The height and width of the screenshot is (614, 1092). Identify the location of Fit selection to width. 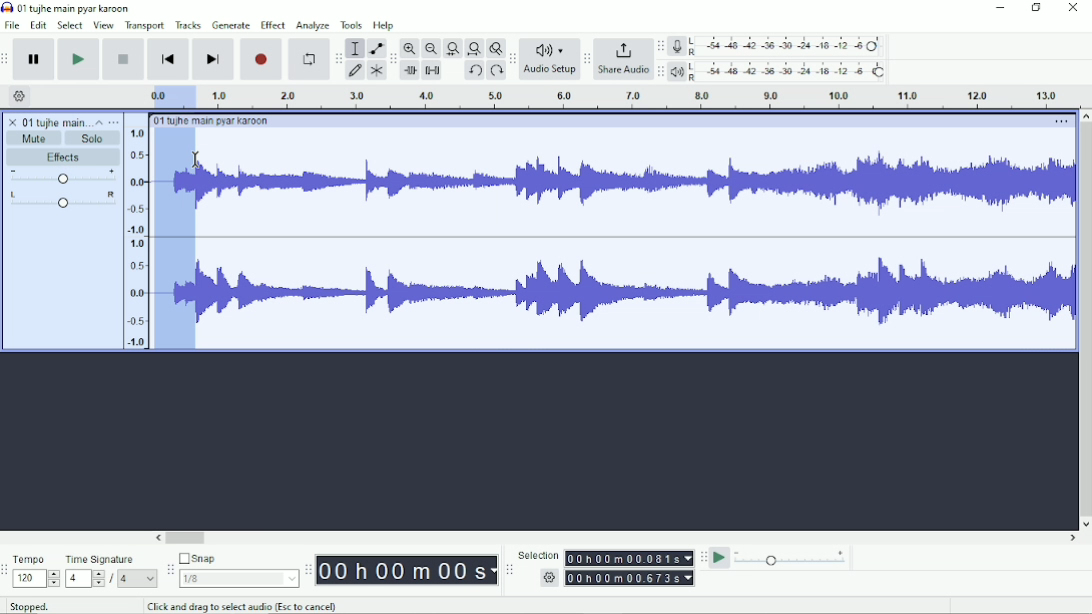
(453, 50).